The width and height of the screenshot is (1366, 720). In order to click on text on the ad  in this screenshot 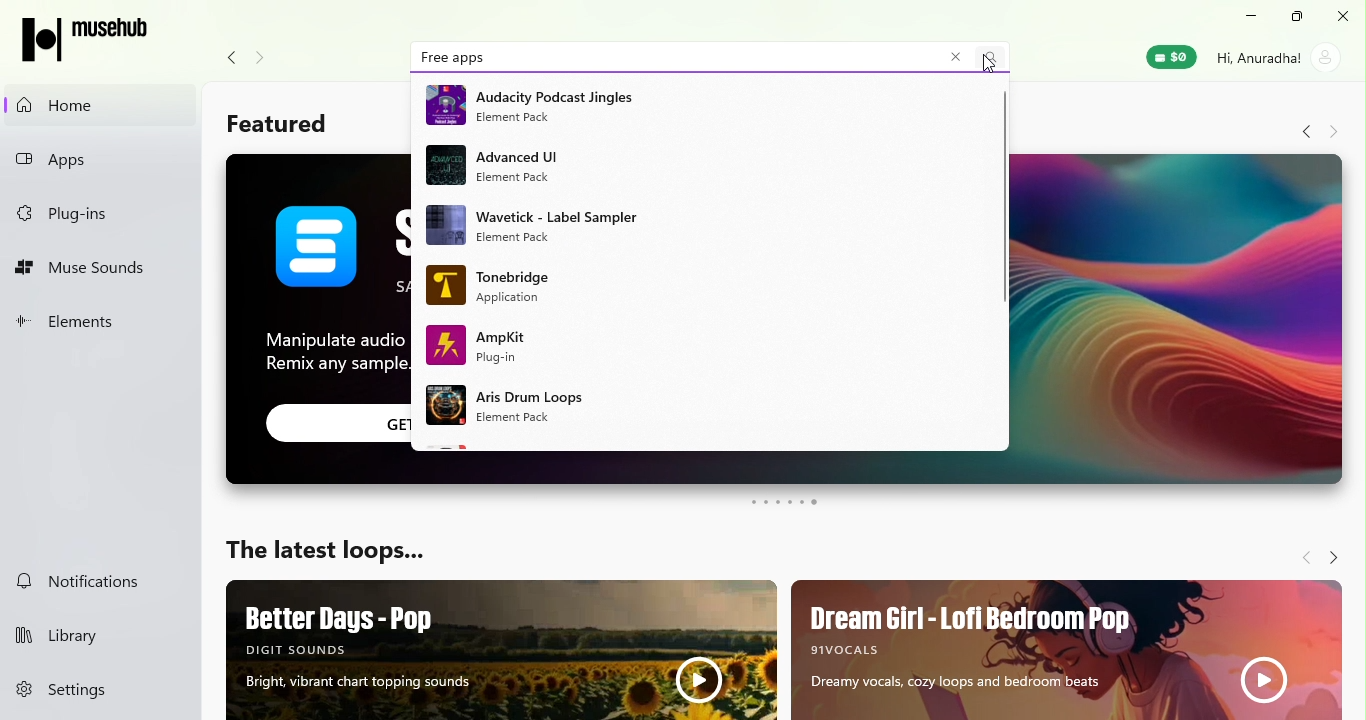, I will do `click(317, 318)`.